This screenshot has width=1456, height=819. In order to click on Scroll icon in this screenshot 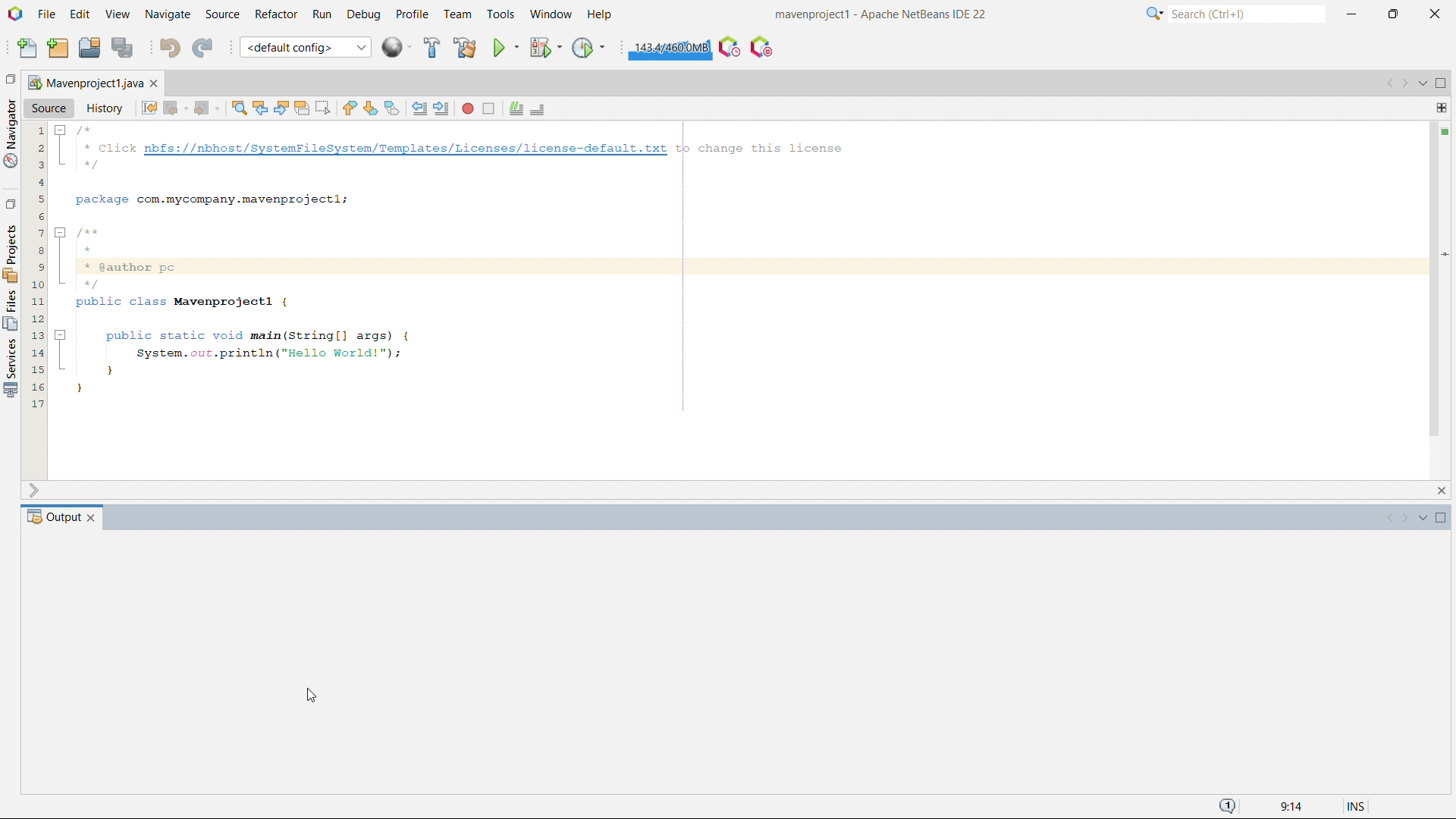, I will do `click(39, 488)`.